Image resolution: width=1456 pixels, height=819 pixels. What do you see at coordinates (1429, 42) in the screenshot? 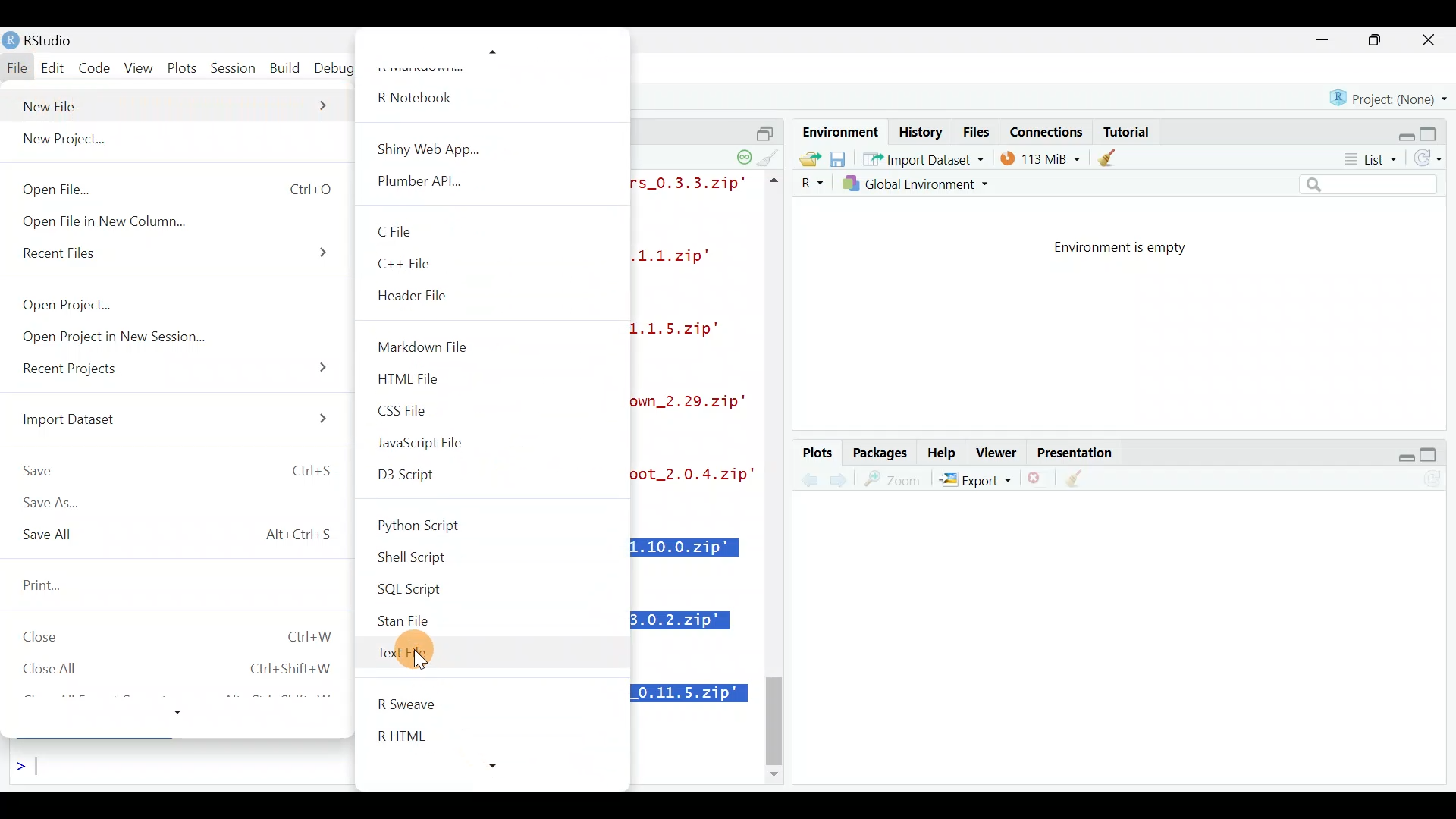
I see `close` at bounding box center [1429, 42].